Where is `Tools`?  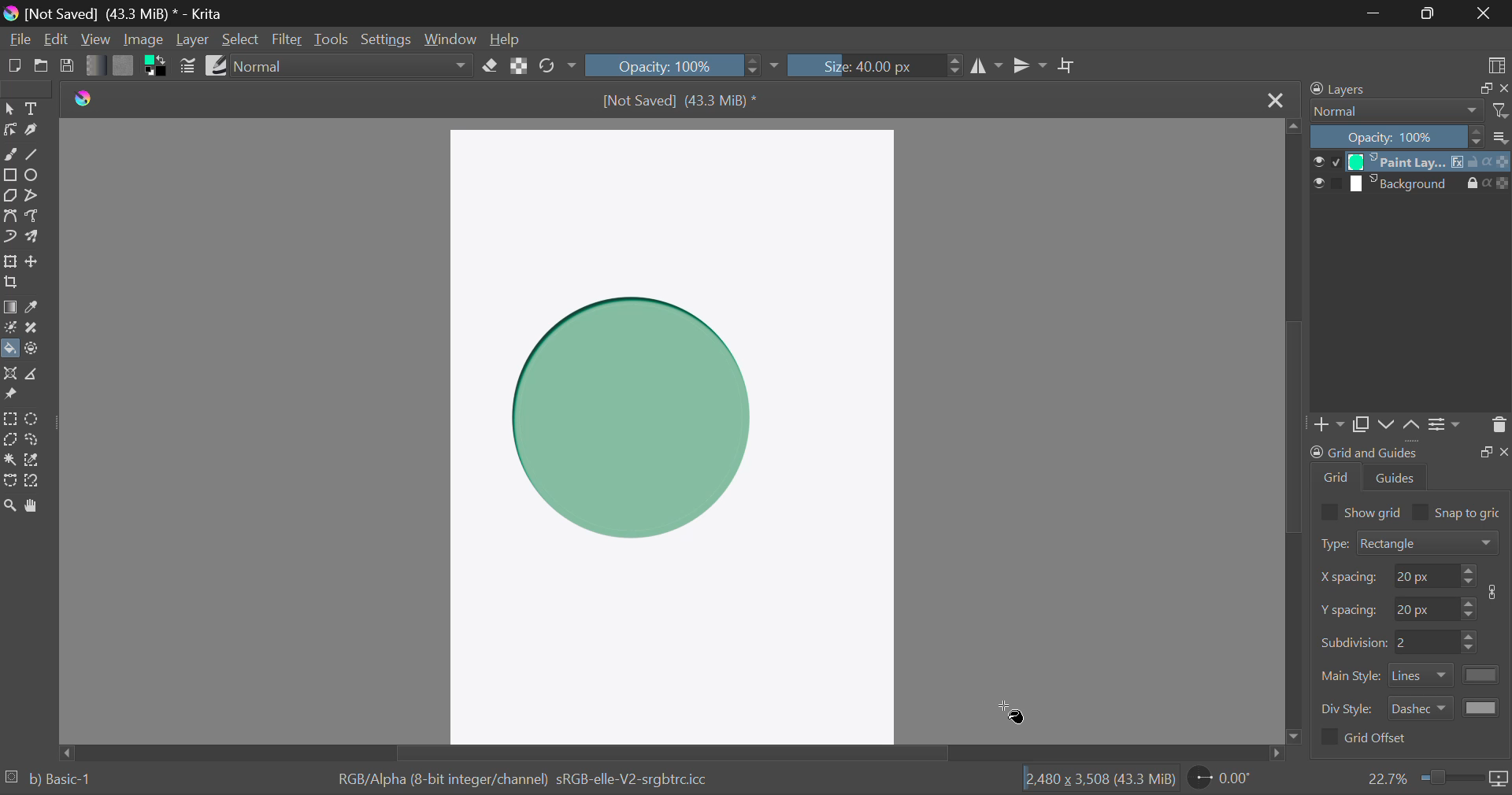
Tools is located at coordinates (332, 39).